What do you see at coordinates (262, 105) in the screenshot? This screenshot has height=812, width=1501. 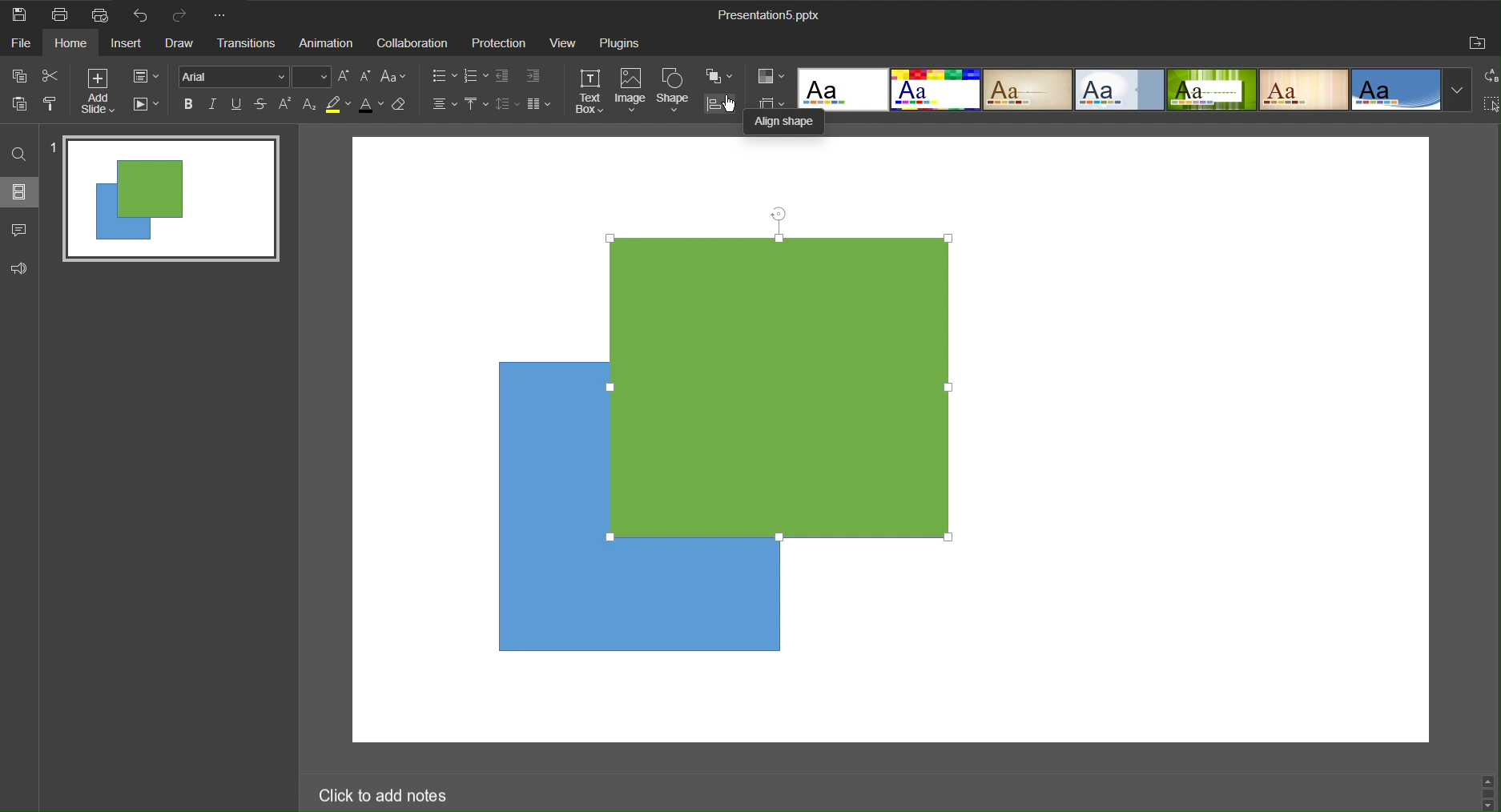 I see `strikethrough` at bounding box center [262, 105].